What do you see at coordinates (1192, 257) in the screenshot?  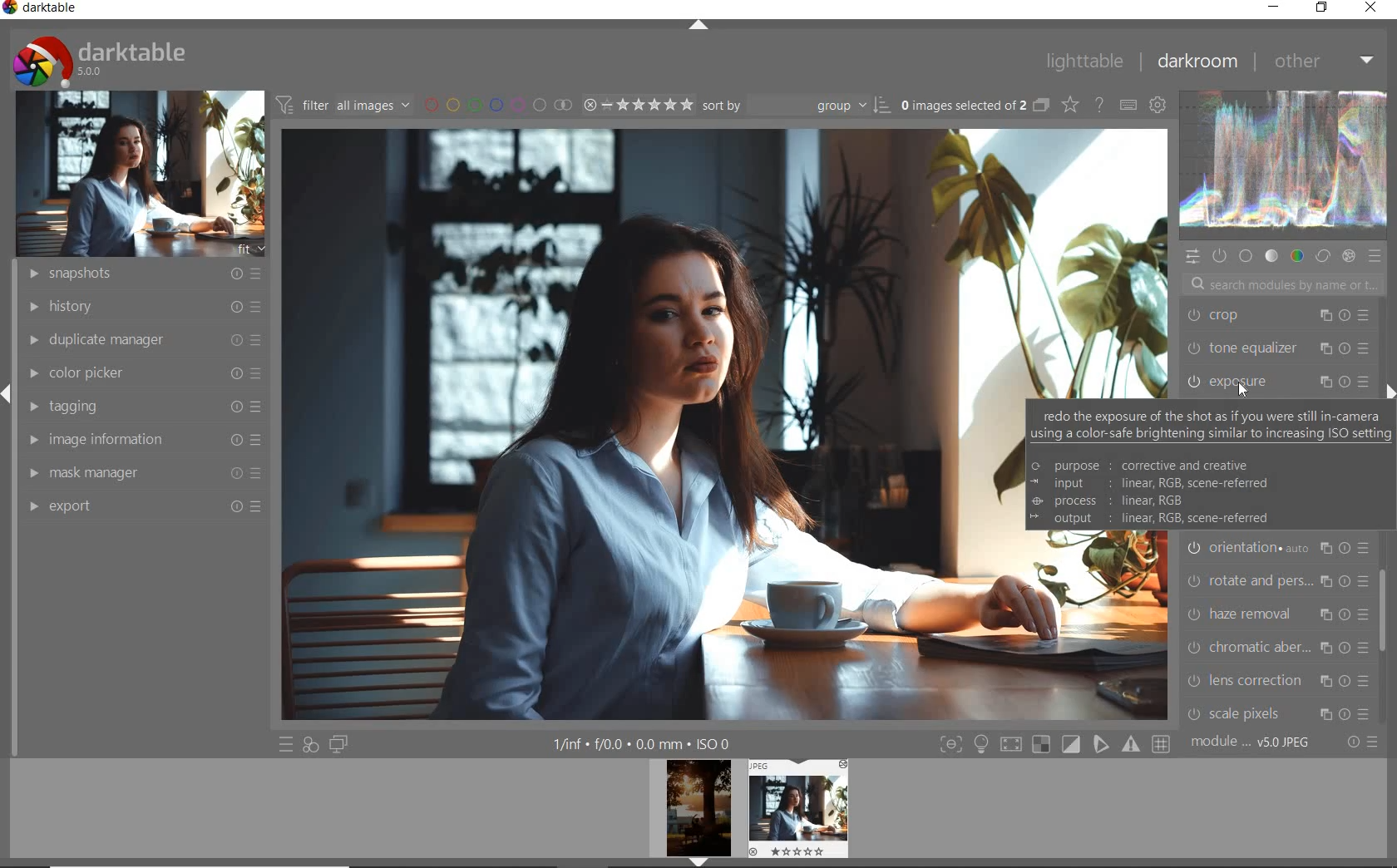 I see `QUICK ACCESS PANEL` at bounding box center [1192, 257].